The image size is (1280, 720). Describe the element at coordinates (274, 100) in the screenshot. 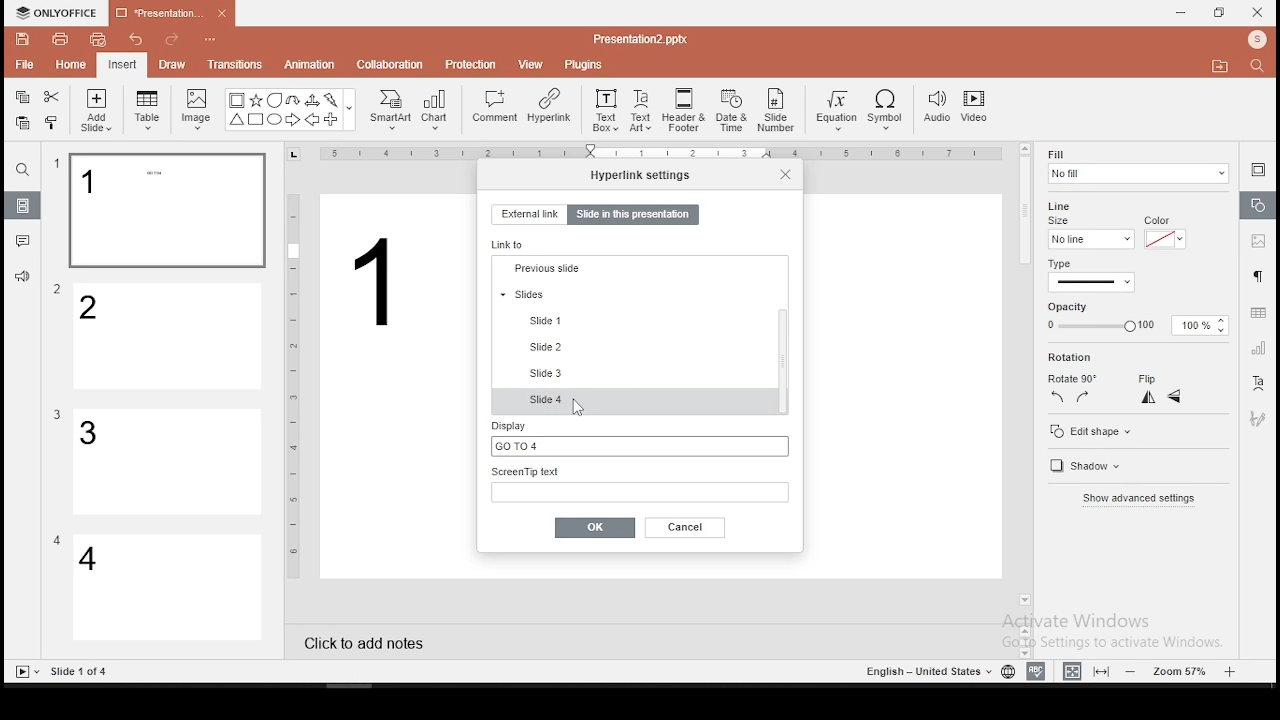

I see `Bubble` at that location.